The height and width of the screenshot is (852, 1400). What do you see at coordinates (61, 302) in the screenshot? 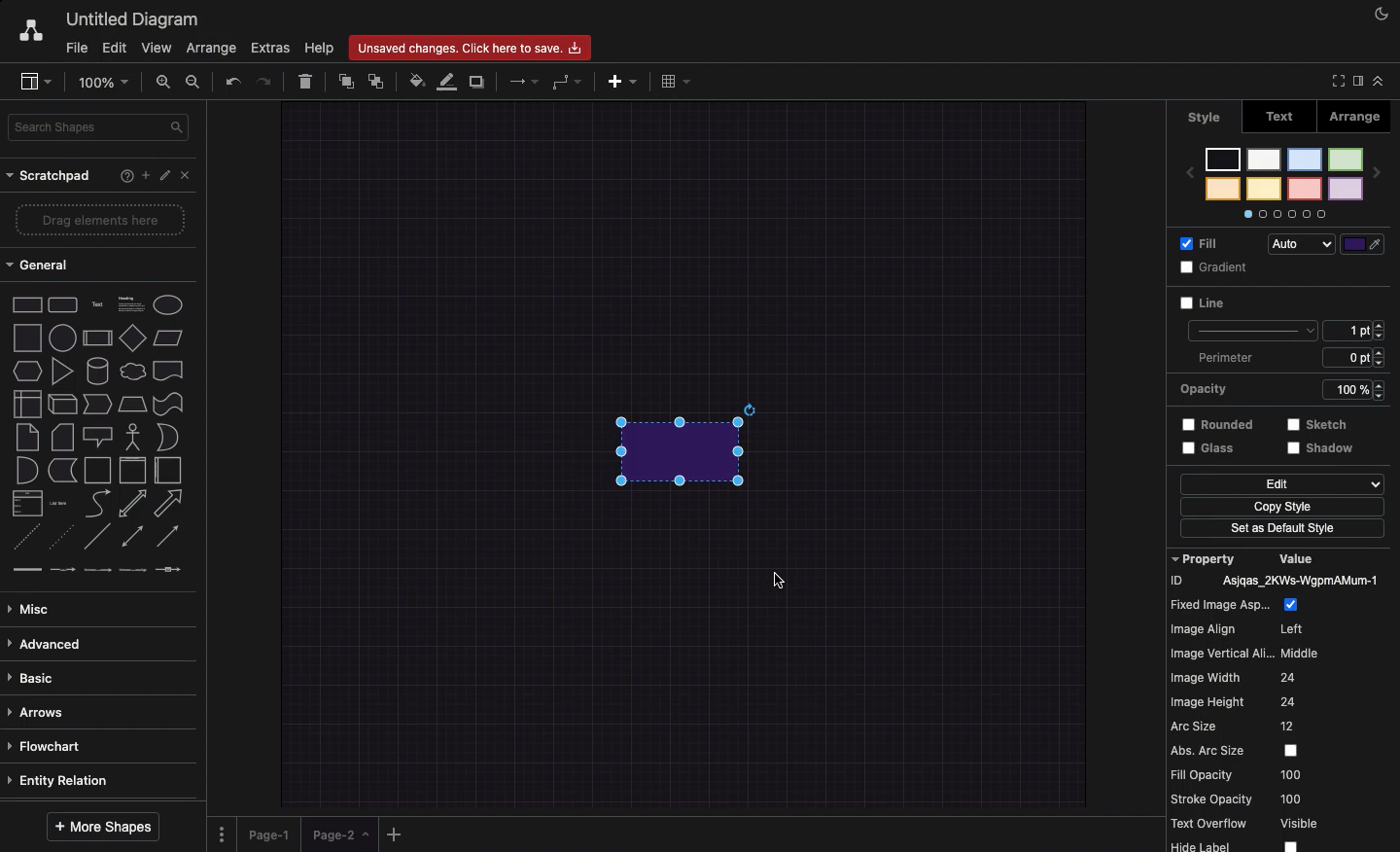
I see `rounded rectangle` at bounding box center [61, 302].